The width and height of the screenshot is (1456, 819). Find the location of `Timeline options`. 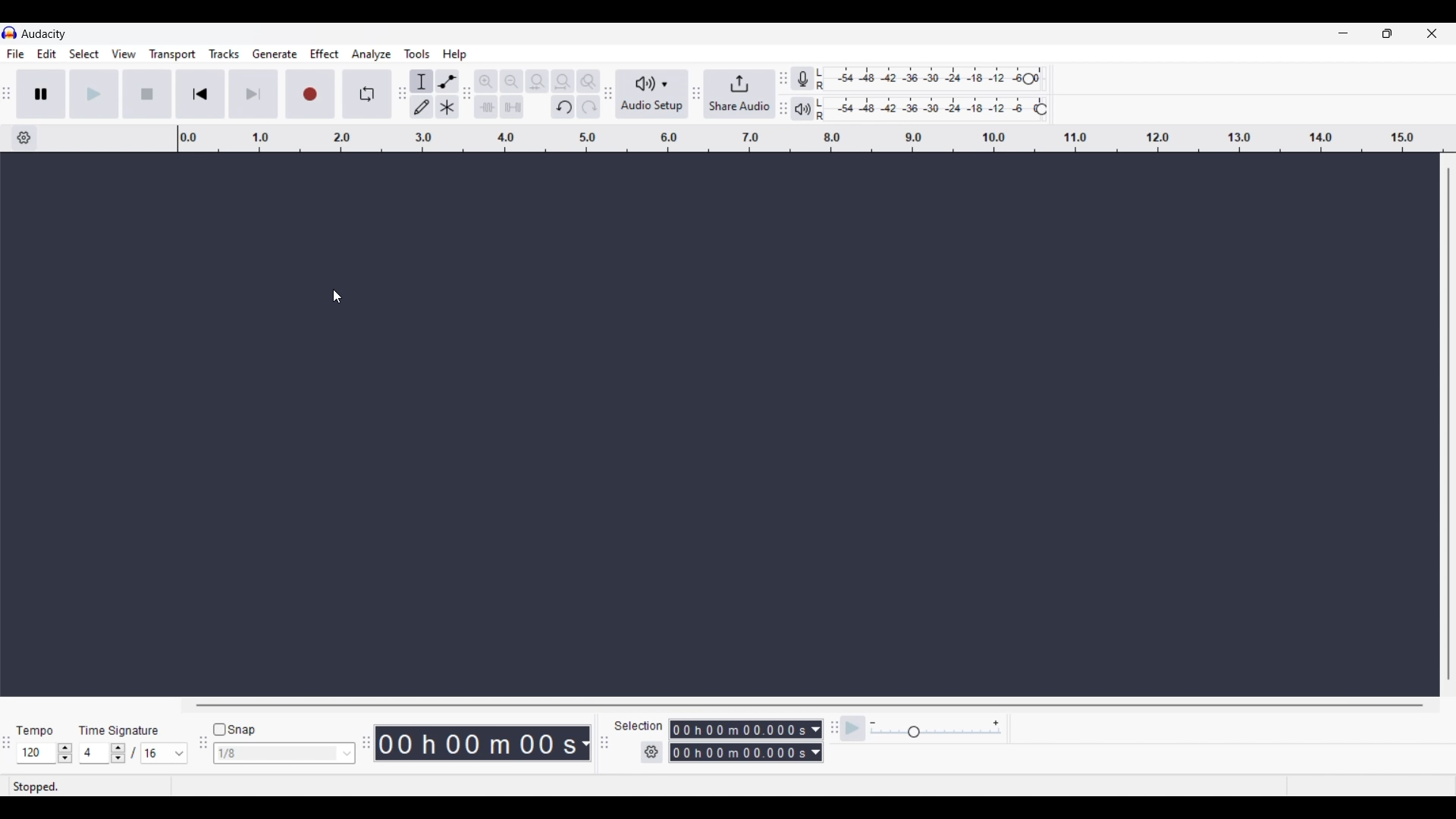

Timeline options is located at coordinates (24, 138).